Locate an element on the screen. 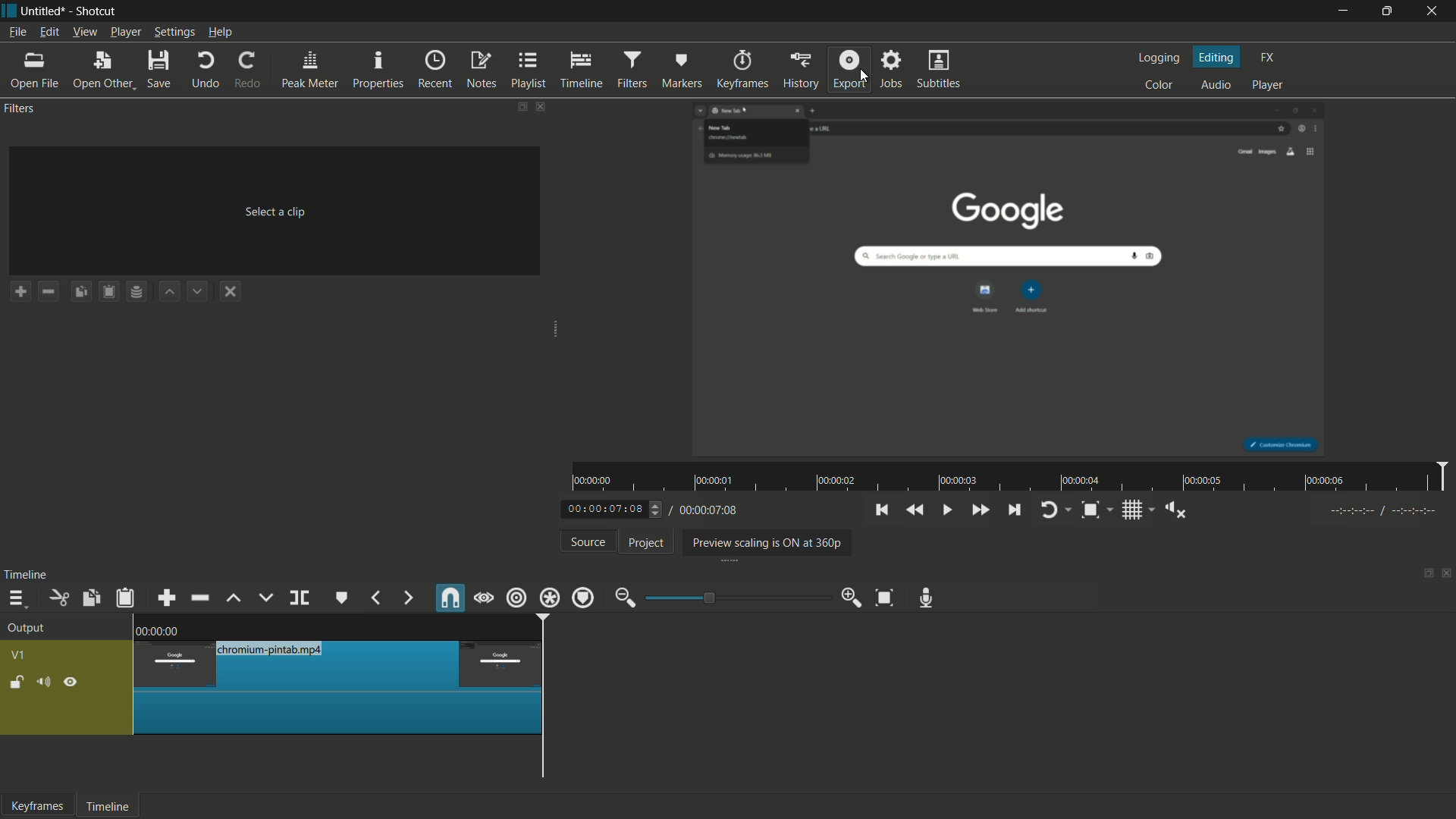  skip to the next point is located at coordinates (1012, 510).